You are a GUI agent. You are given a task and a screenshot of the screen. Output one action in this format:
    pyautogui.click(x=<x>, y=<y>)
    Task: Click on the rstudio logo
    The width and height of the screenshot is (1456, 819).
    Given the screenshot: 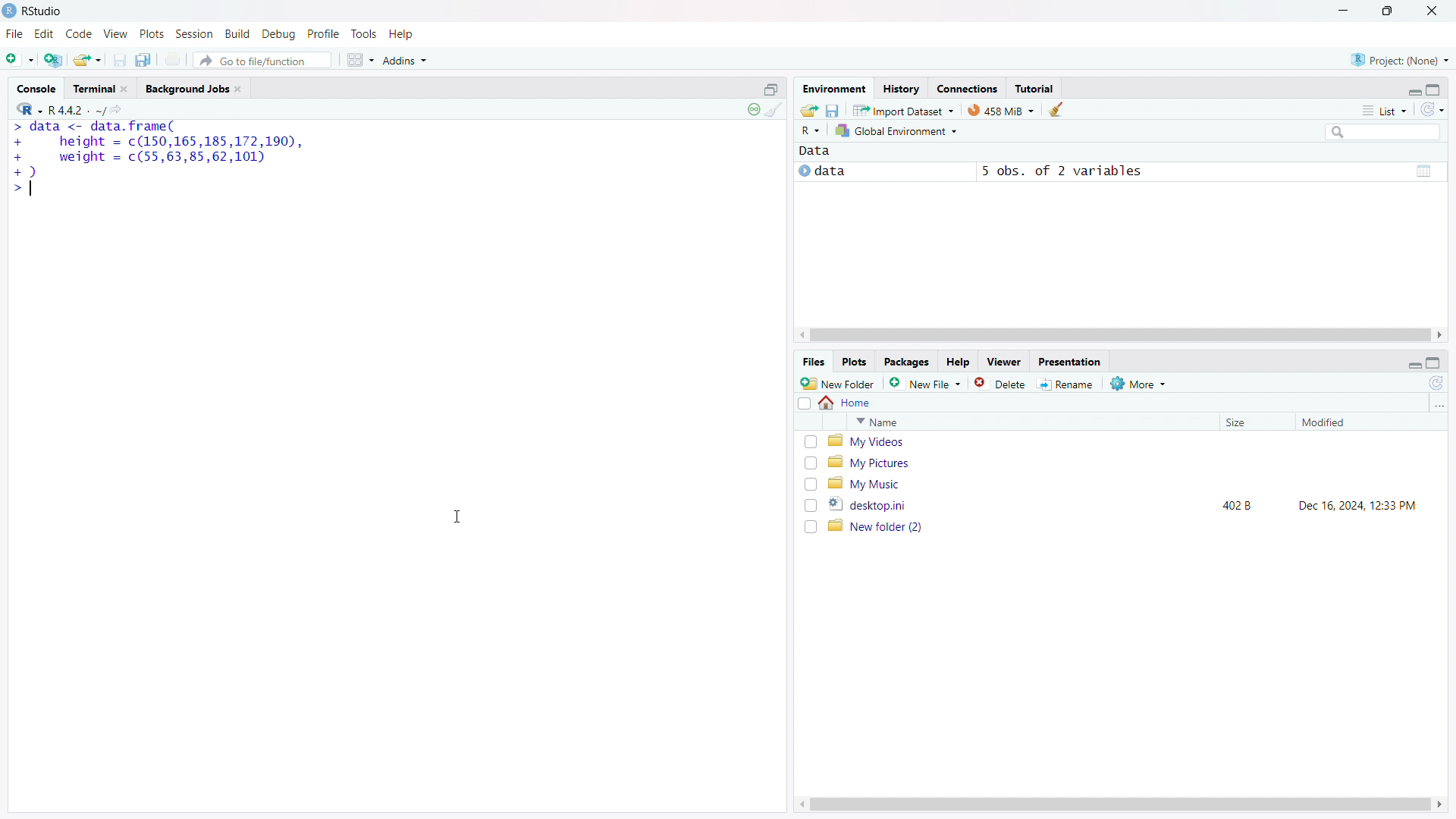 What is the action you would take?
    pyautogui.click(x=9, y=11)
    